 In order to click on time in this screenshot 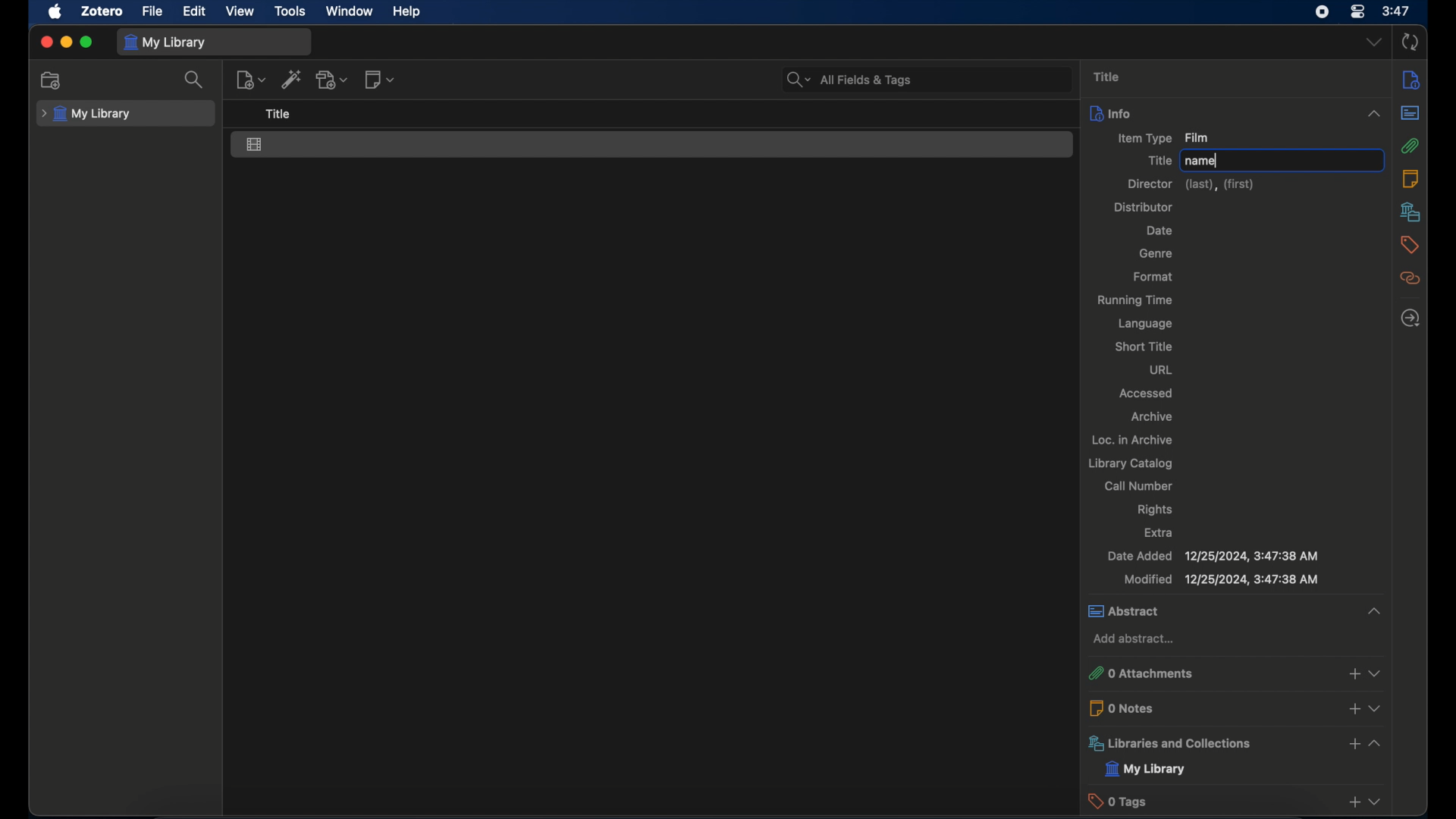, I will do `click(1397, 10)`.